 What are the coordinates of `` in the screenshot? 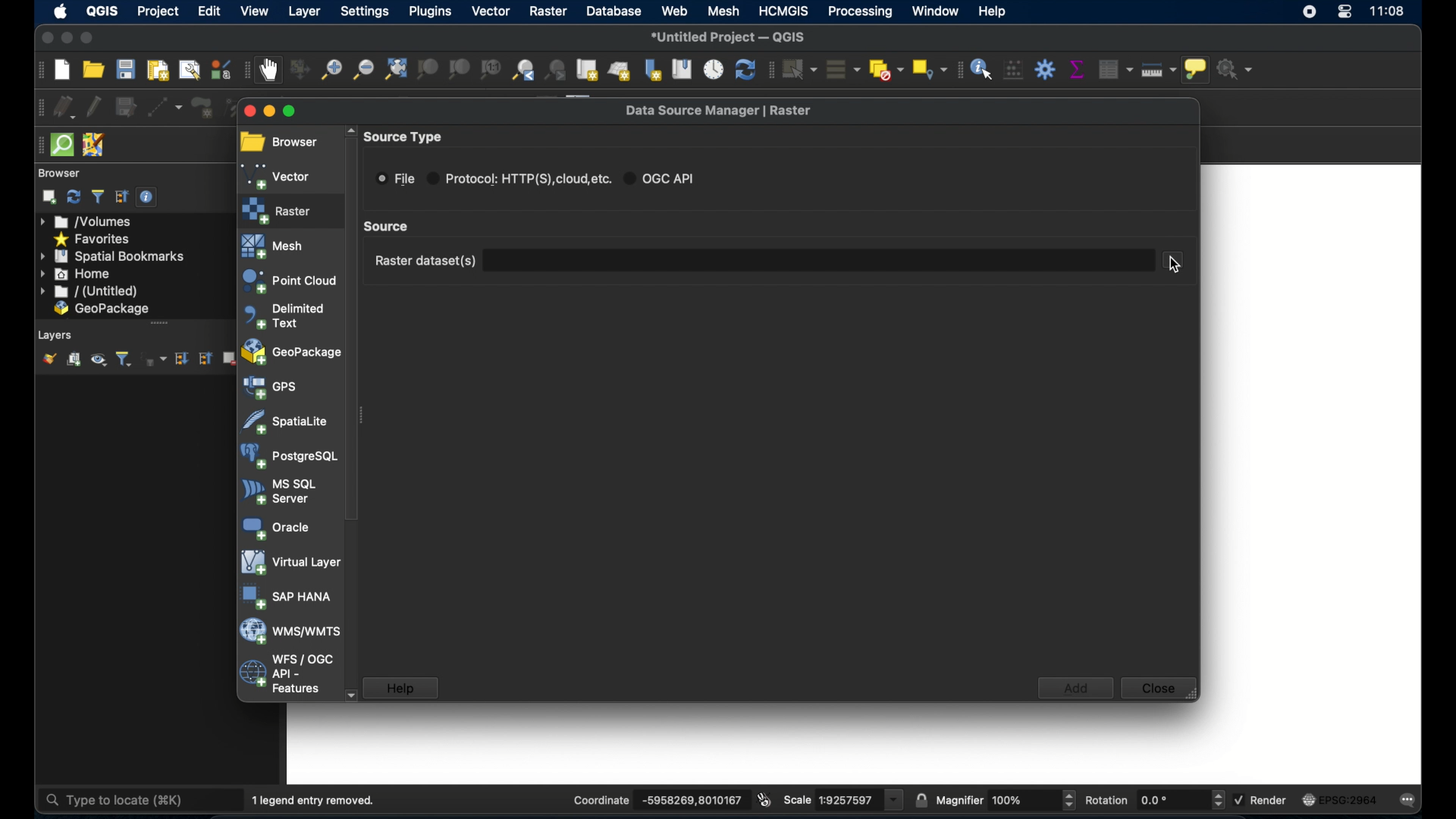 It's located at (351, 333).